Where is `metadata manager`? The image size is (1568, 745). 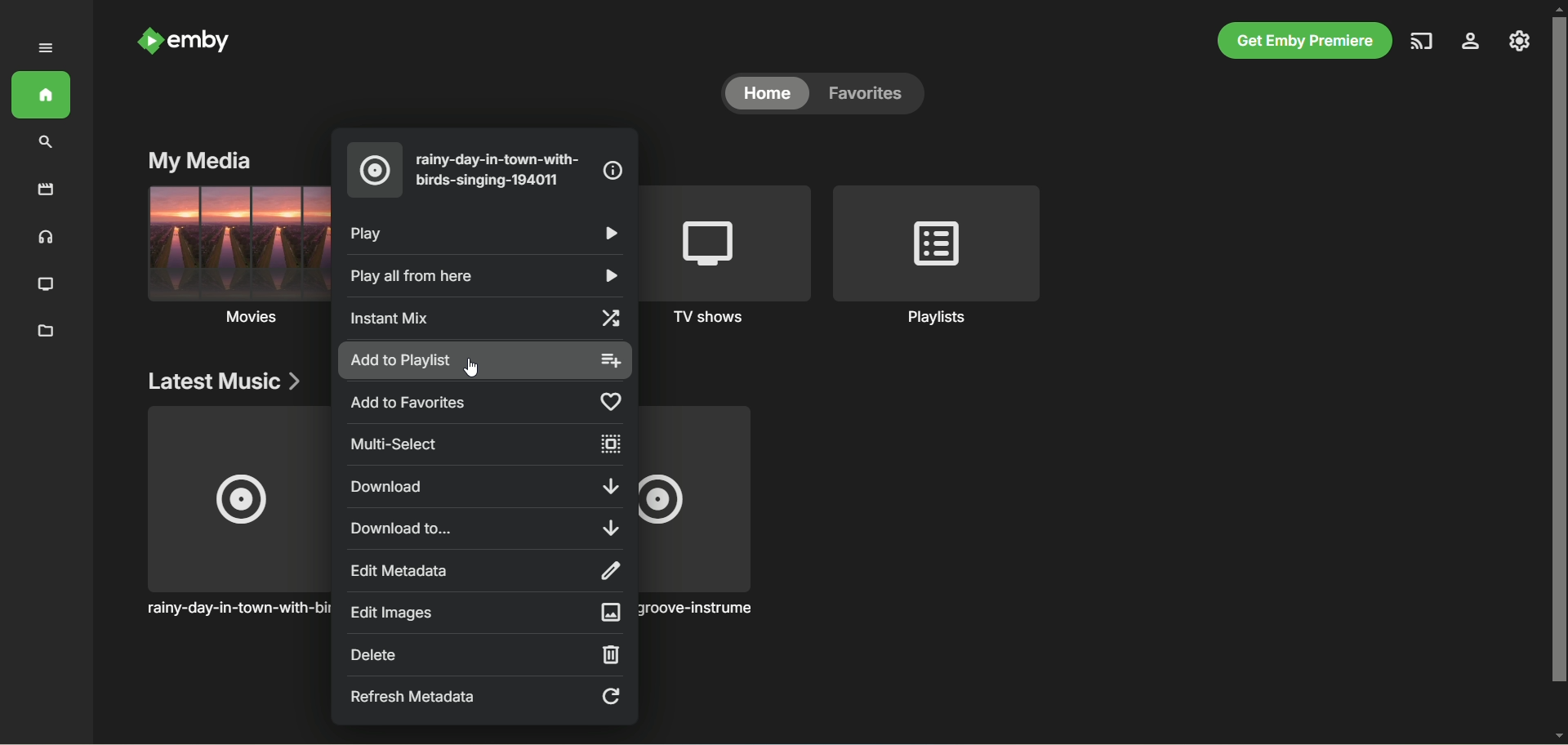 metadata manager is located at coordinates (47, 333).